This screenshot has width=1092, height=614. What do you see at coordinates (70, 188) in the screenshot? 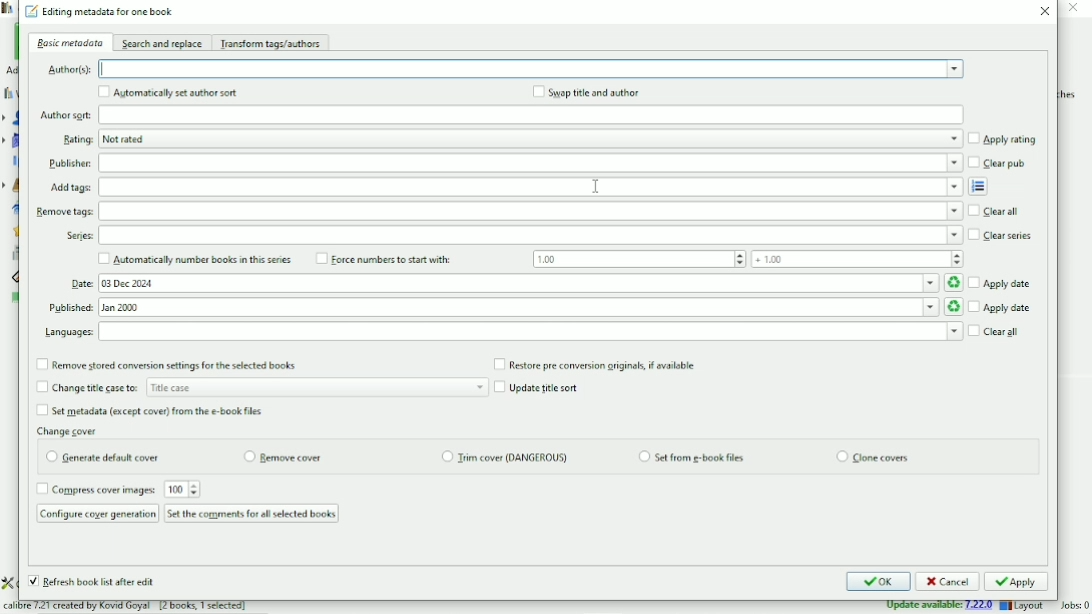
I see `Add tags` at bounding box center [70, 188].